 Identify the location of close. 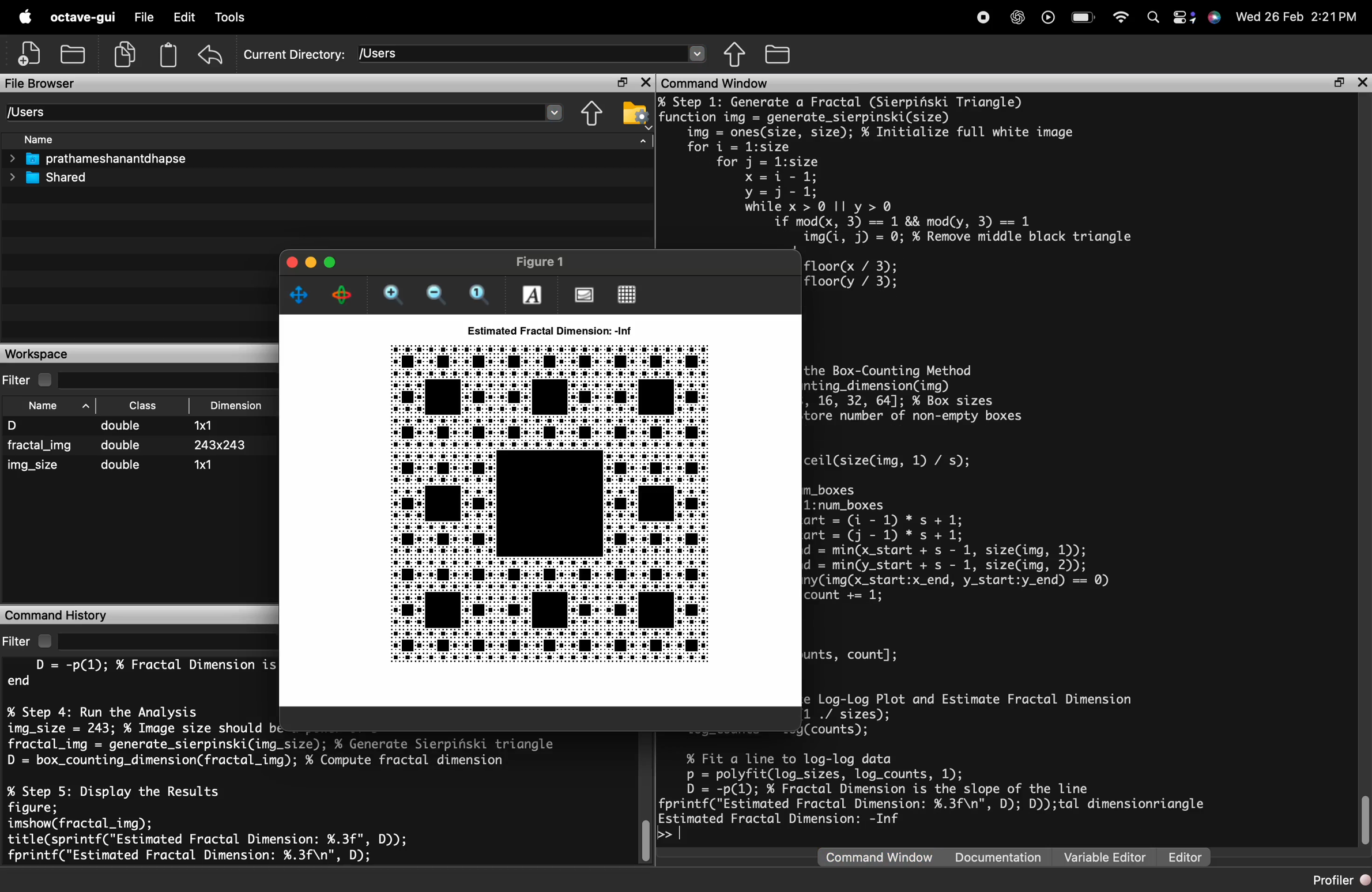
(289, 264).